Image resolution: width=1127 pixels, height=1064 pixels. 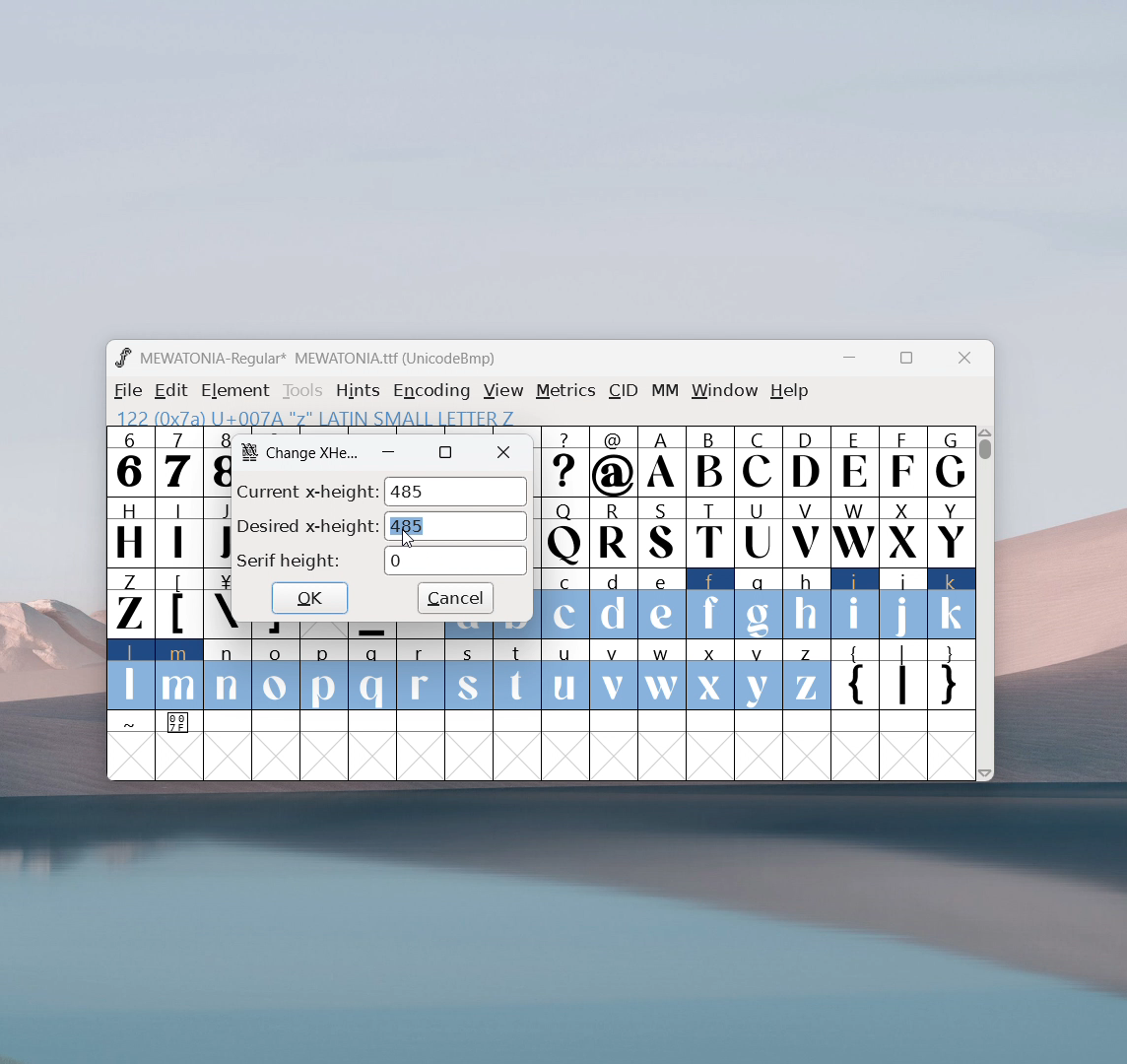 I want to click on F, so click(x=901, y=460).